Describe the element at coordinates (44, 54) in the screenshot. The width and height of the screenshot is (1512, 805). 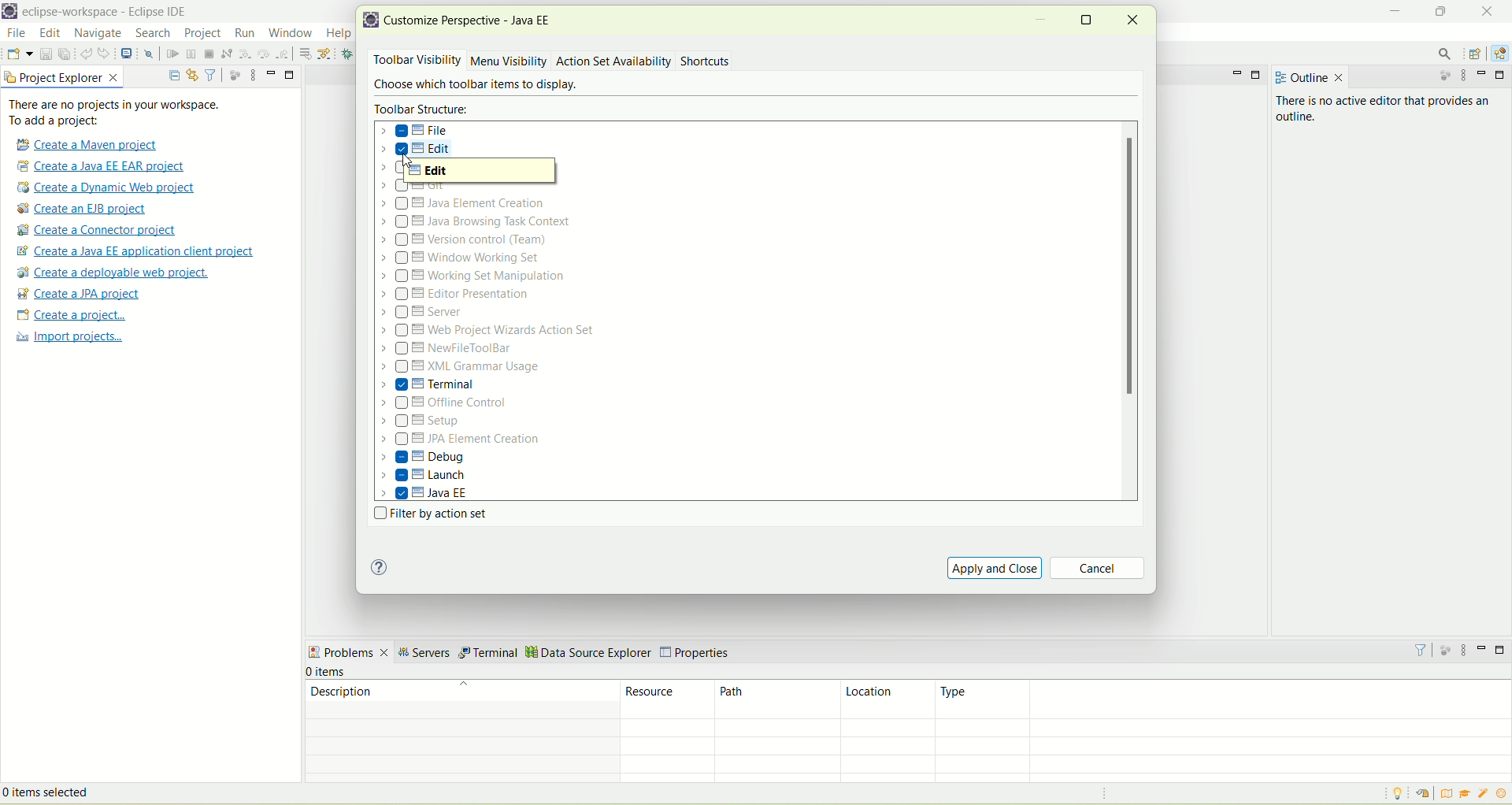
I see `save` at that location.